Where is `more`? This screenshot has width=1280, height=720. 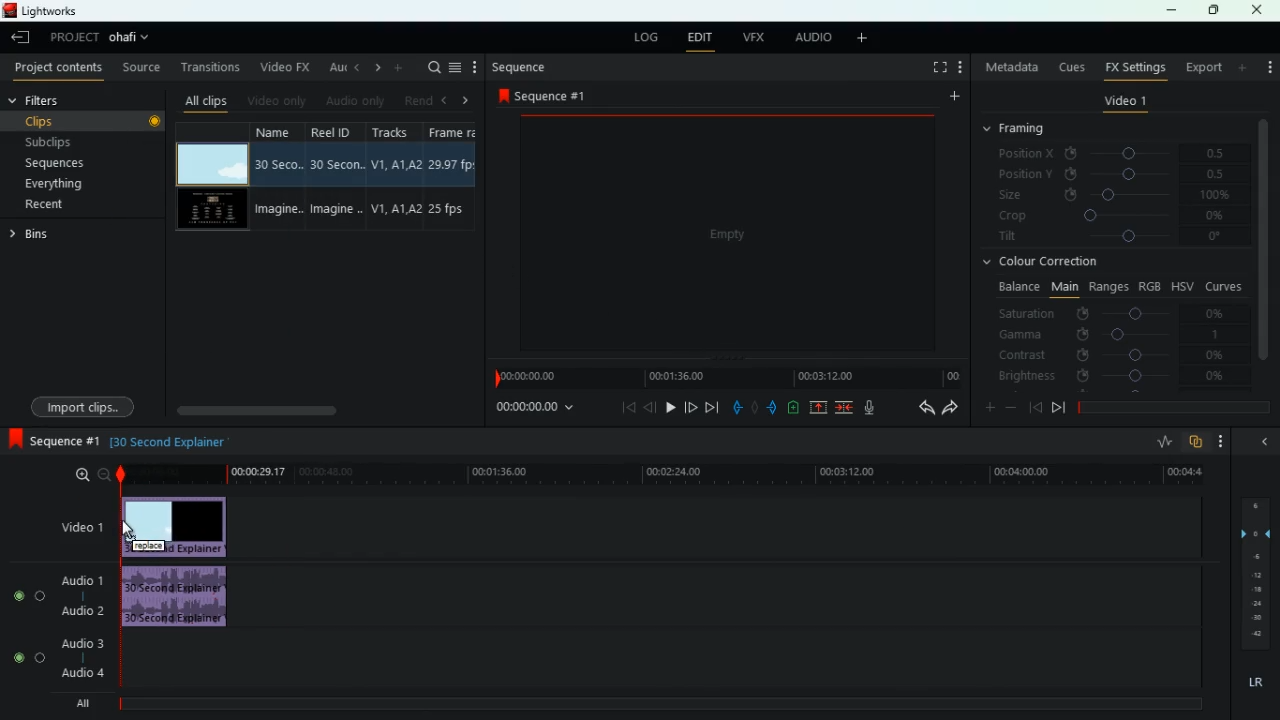 more is located at coordinates (952, 99).